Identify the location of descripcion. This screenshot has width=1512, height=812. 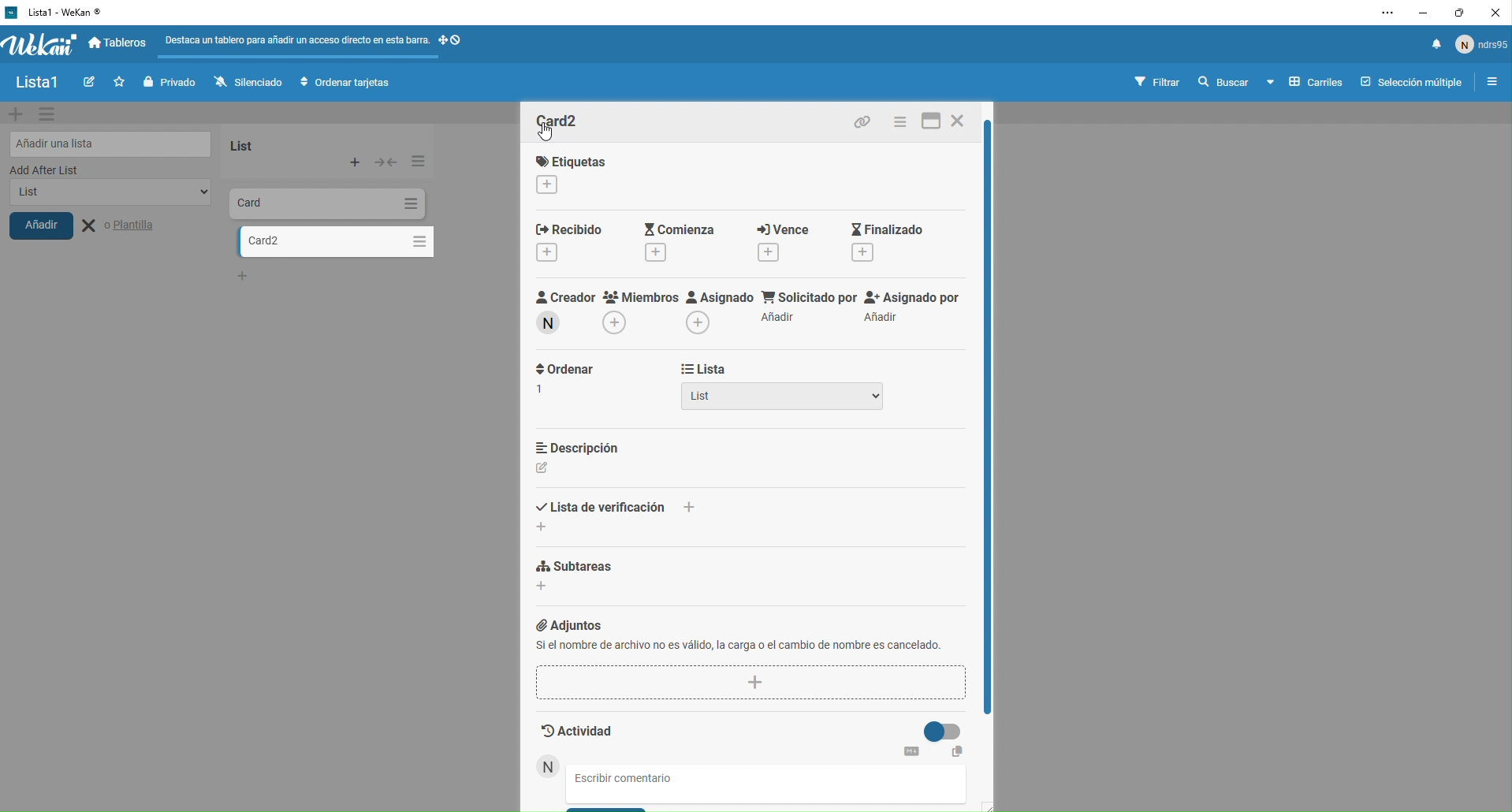
(590, 456).